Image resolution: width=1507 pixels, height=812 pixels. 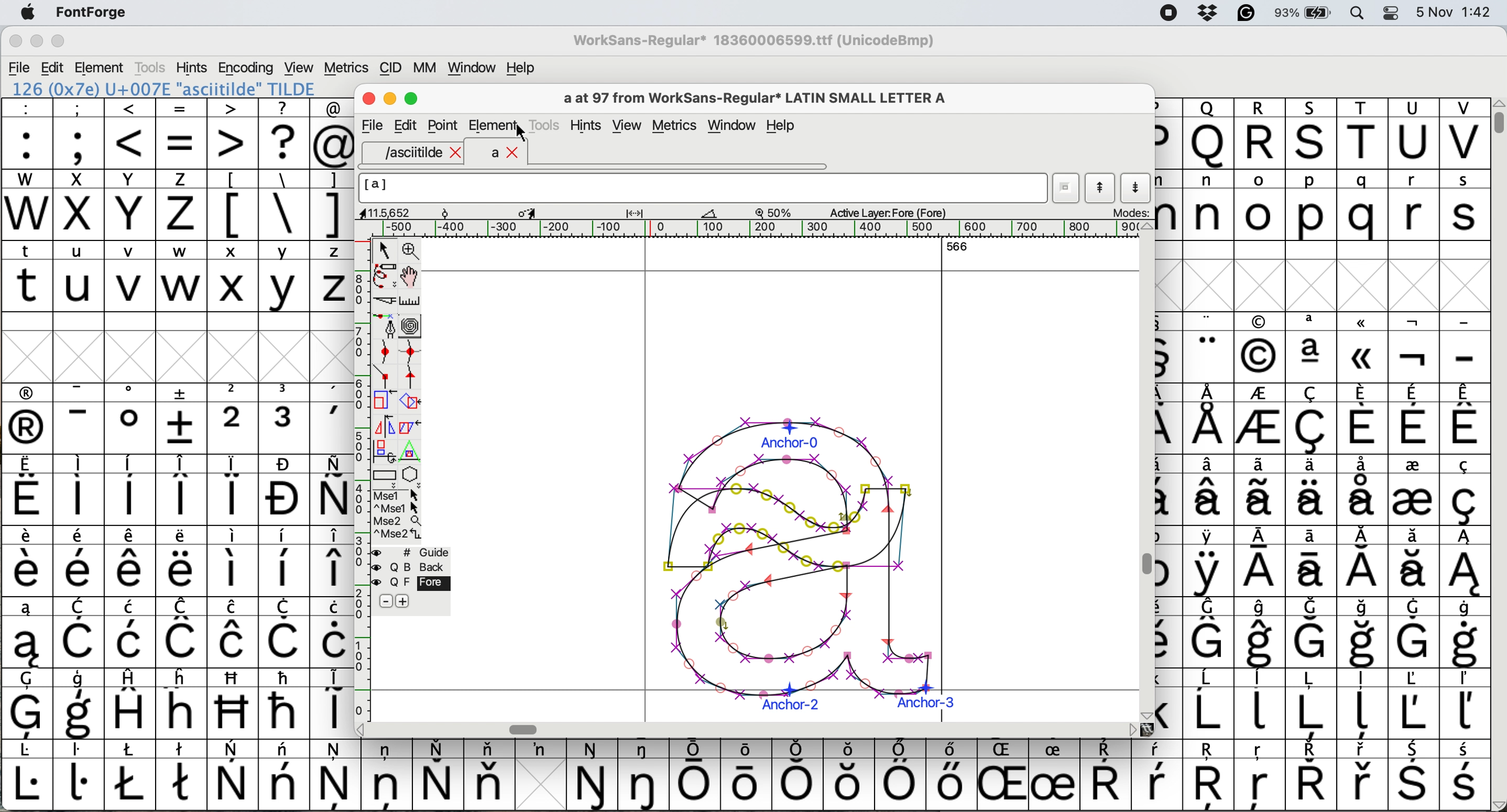 What do you see at coordinates (1262, 490) in the screenshot?
I see `symbol` at bounding box center [1262, 490].